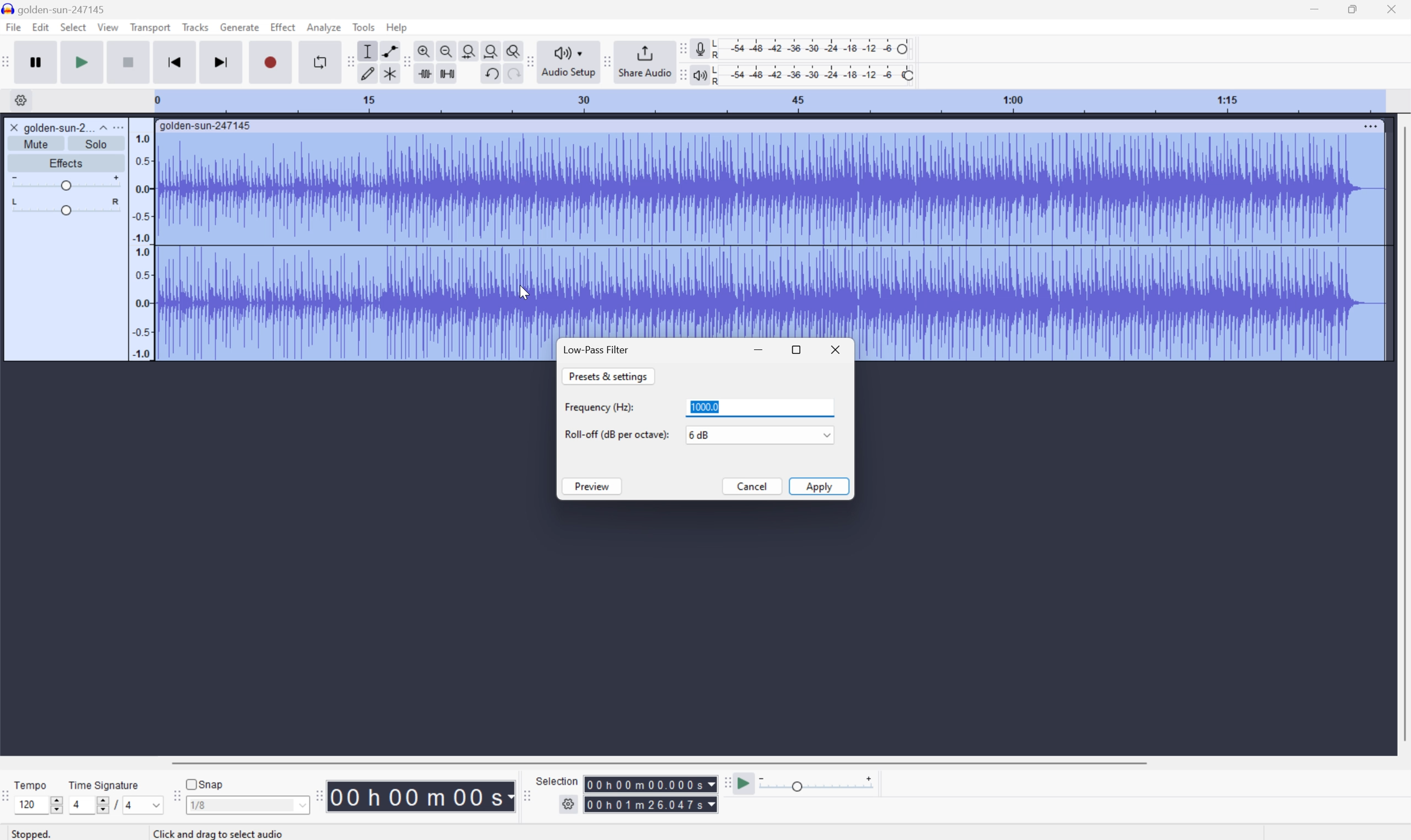 Image resolution: width=1411 pixels, height=840 pixels. What do you see at coordinates (1402, 434) in the screenshot?
I see `Scroll Bar` at bounding box center [1402, 434].